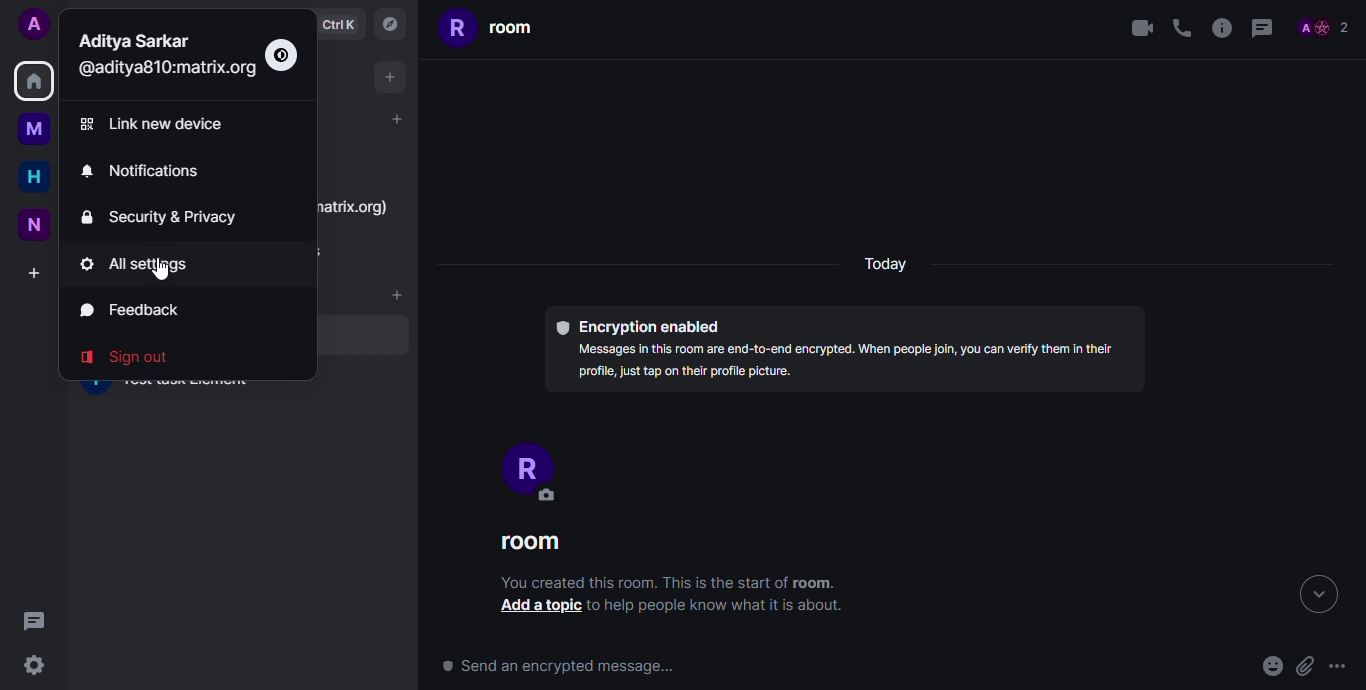 This screenshot has width=1366, height=690. What do you see at coordinates (530, 543) in the screenshot?
I see `room` at bounding box center [530, 543].